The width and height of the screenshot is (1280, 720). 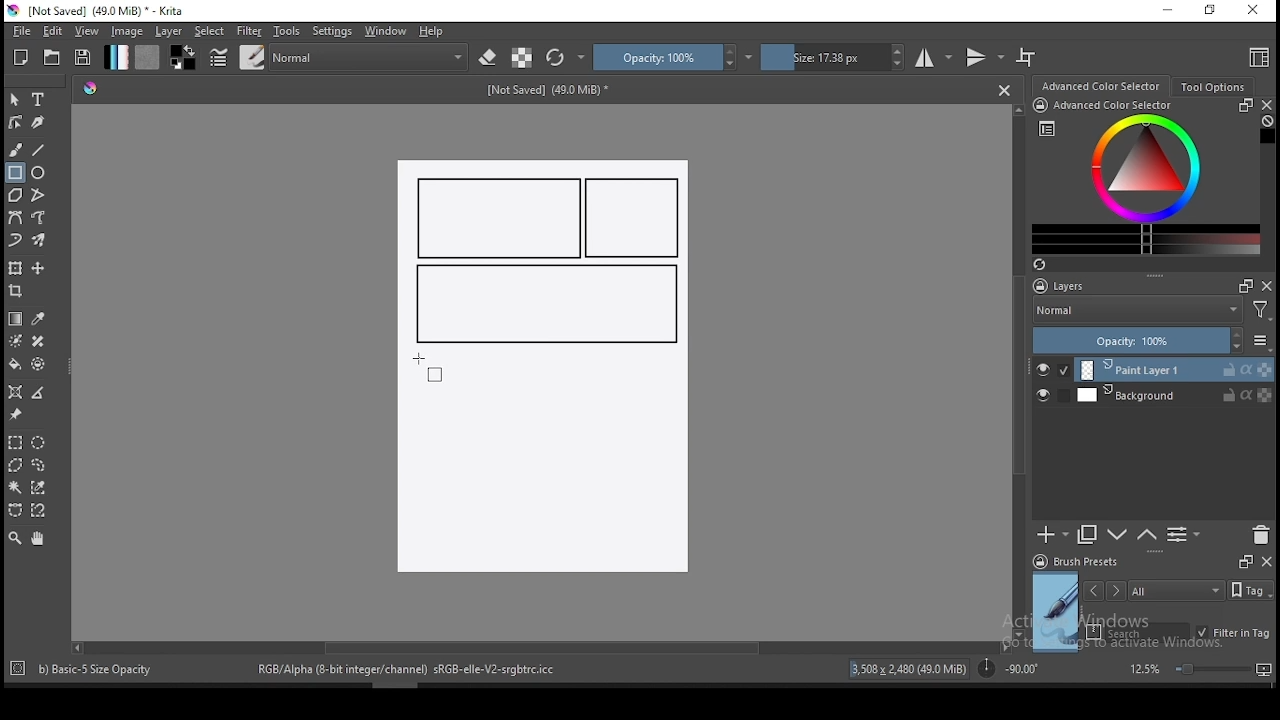 What do you see at coordinates (1027, 57) in the screenshot?
I see `wrap around mode` at bounding box center [1027, 57].